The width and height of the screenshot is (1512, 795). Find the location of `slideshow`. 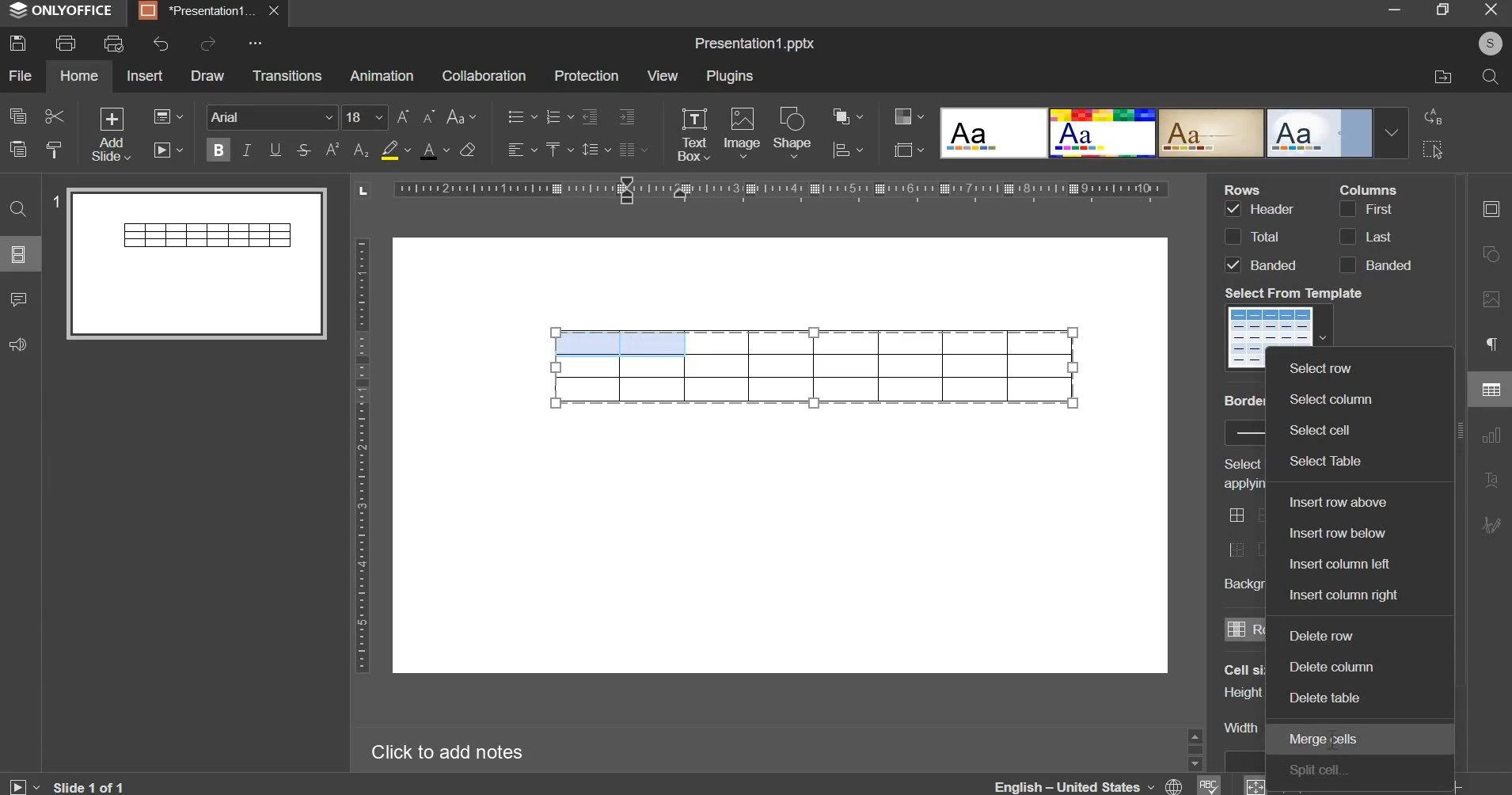

slideshow is located at coordinates (169, 148).